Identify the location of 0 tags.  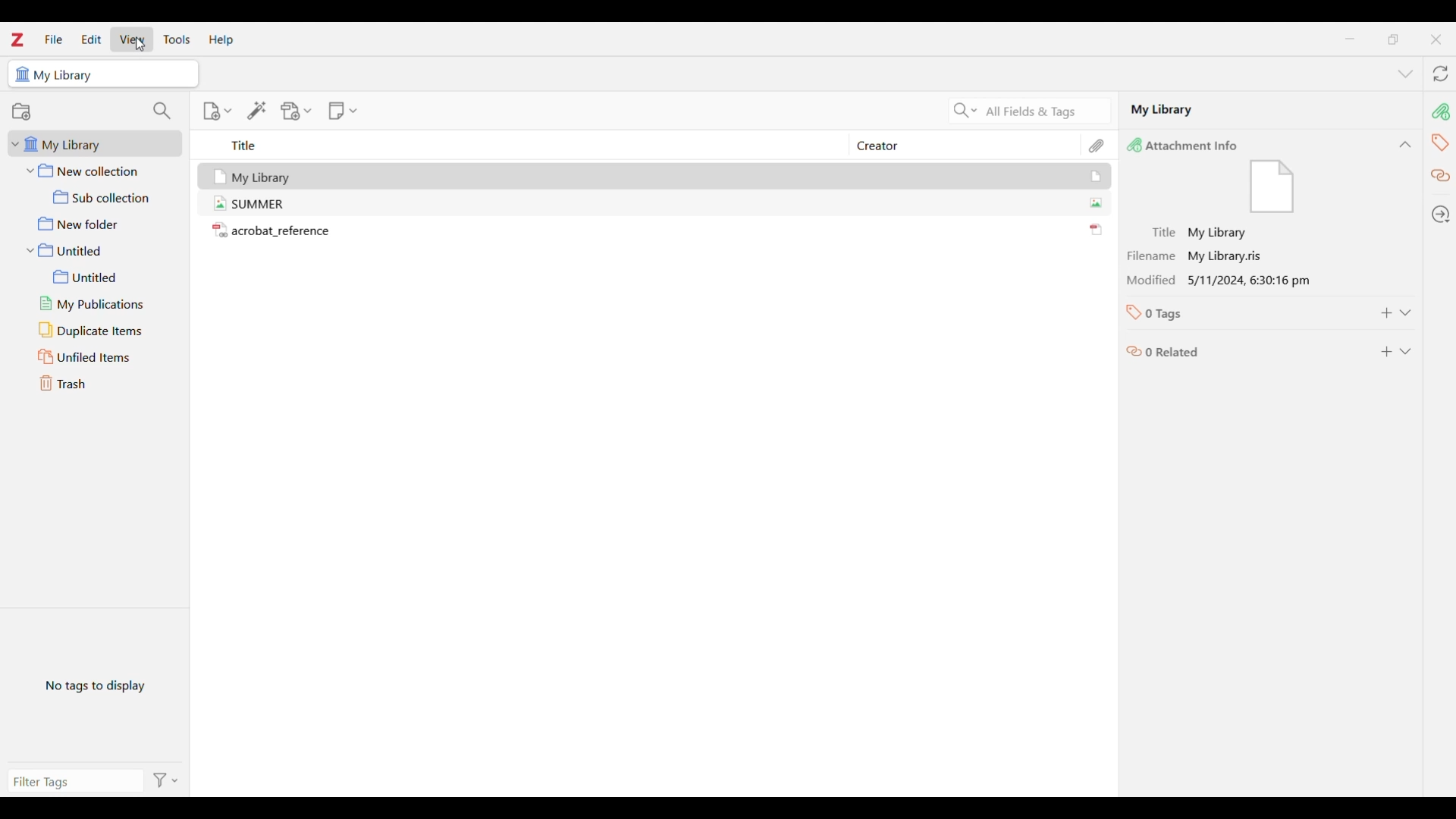
(1163, 312).